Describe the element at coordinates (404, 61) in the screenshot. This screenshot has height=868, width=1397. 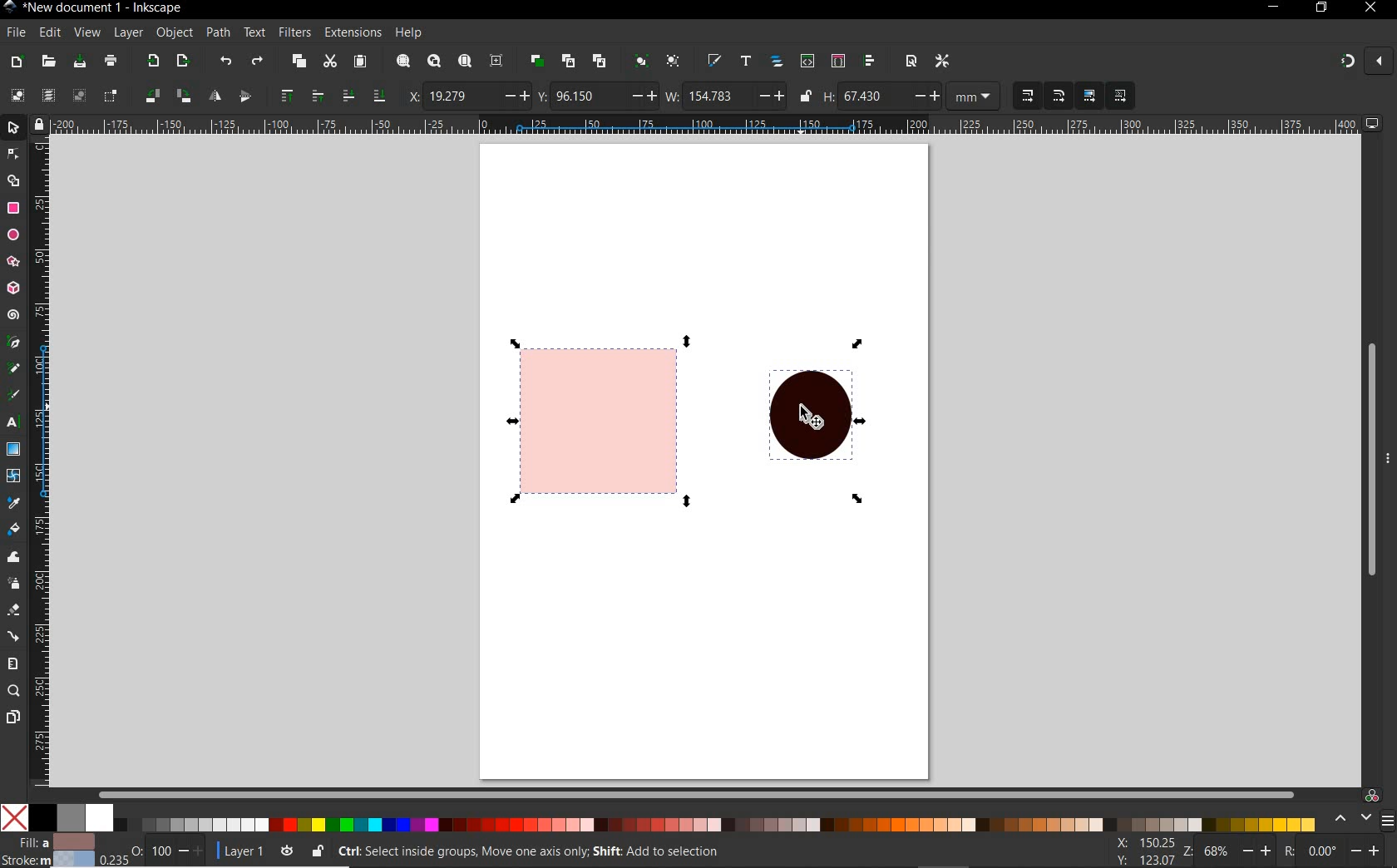
I see `zoom selection` at that location.